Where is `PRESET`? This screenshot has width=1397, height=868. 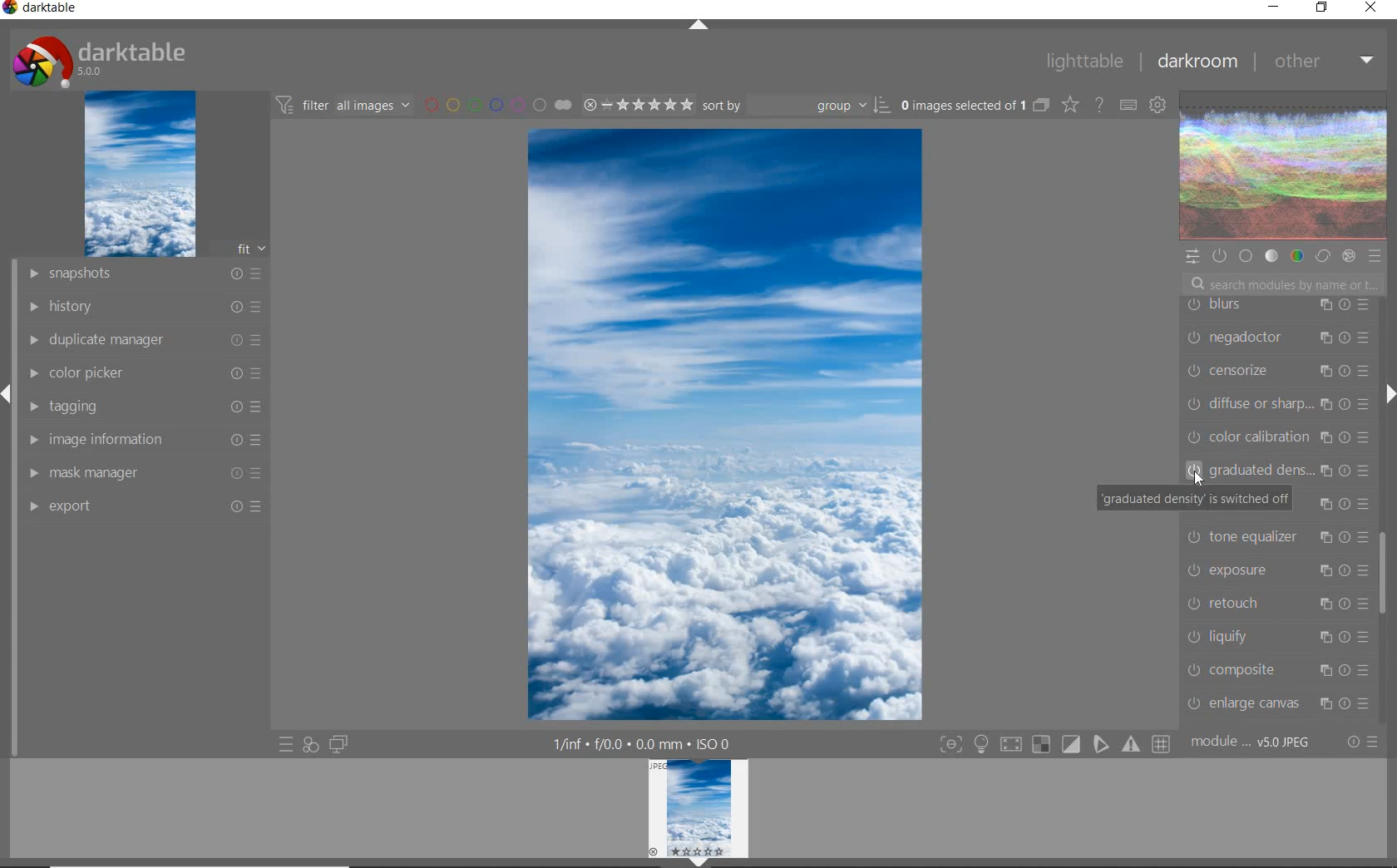
PRESET is located at coordinates (1375, 256).